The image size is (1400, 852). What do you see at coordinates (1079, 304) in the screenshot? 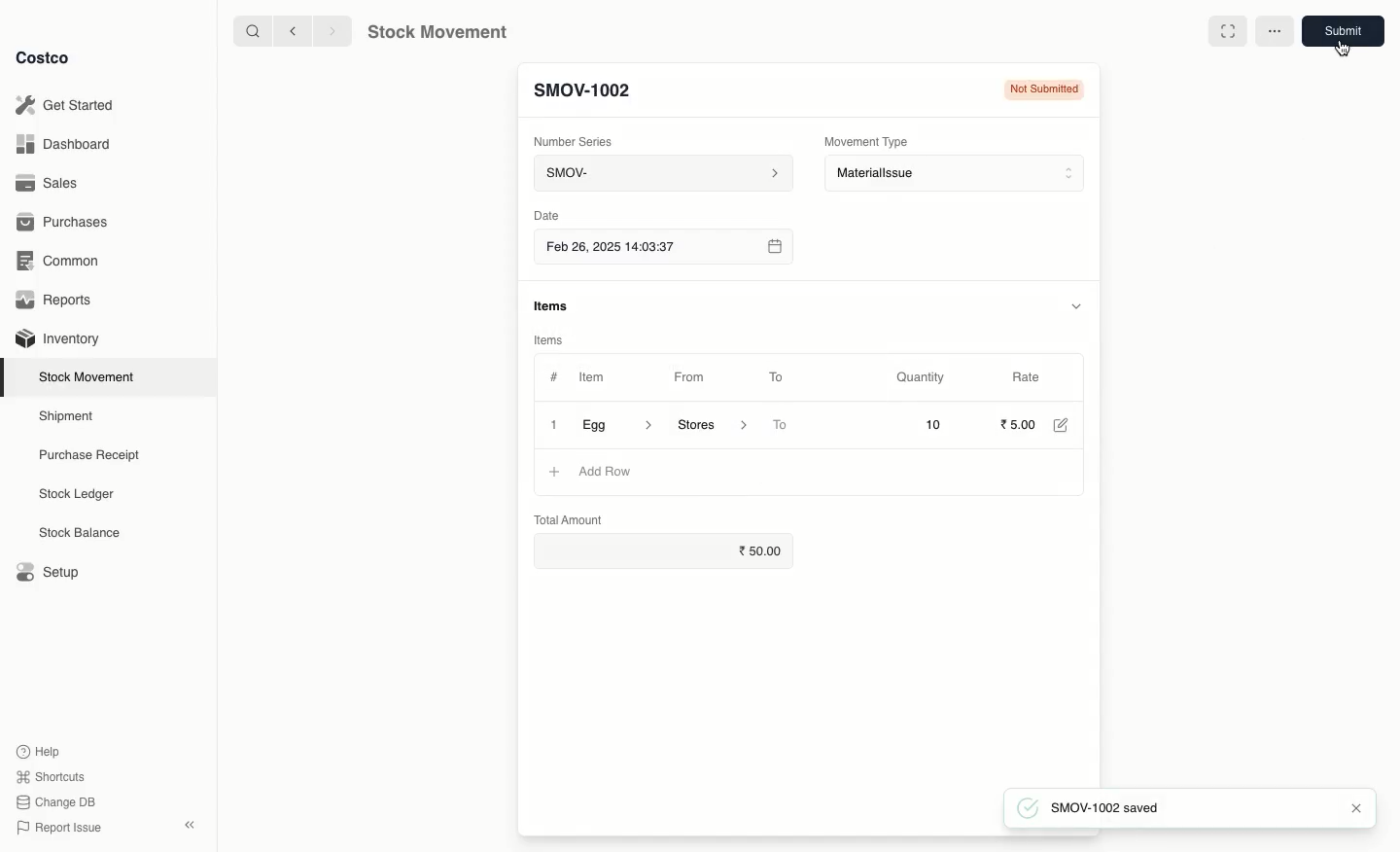
I see `hide` at bounding box center [1079, 304].